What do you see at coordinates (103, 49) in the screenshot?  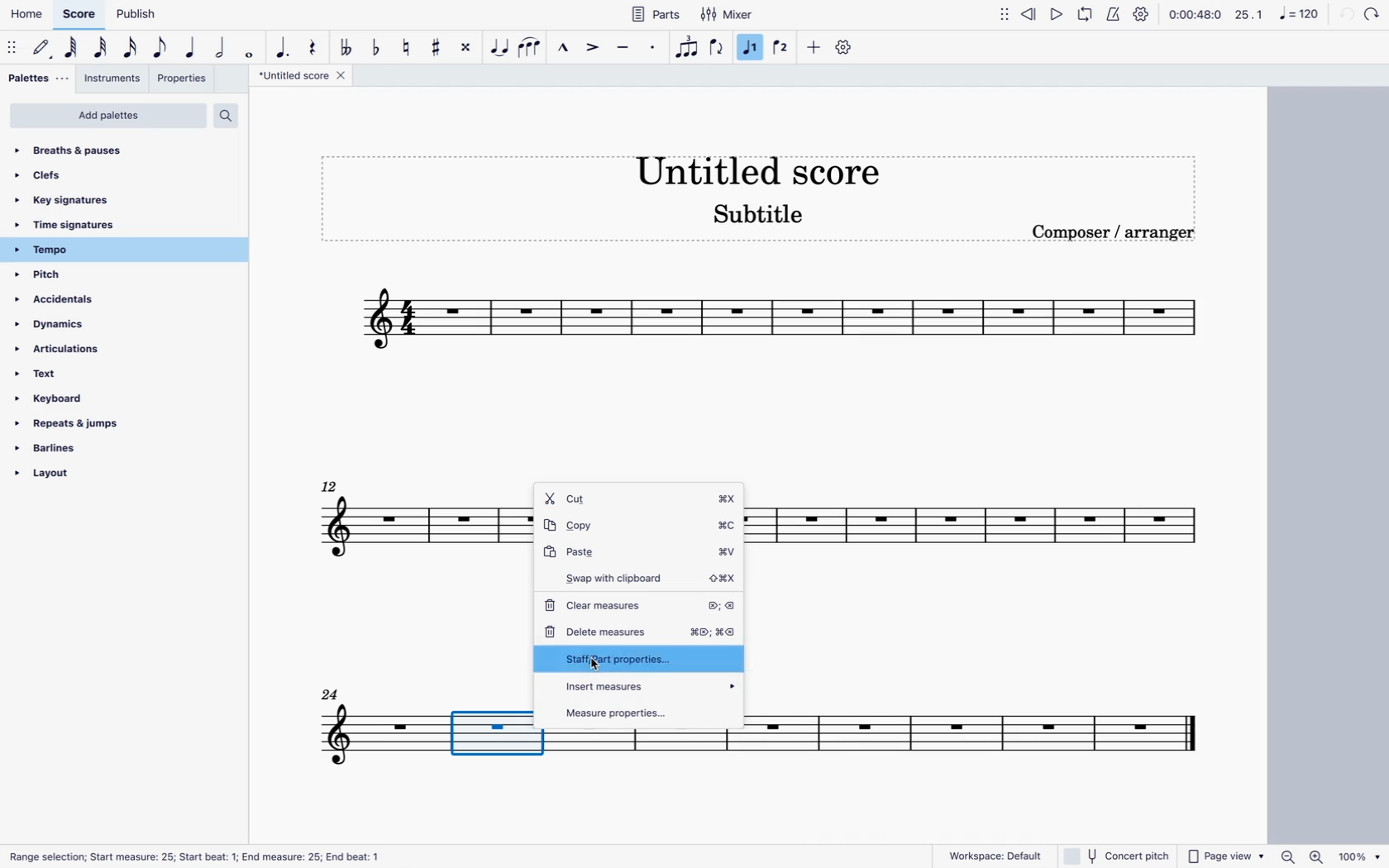 I see `32nd note` at bounding box center [103, 49].